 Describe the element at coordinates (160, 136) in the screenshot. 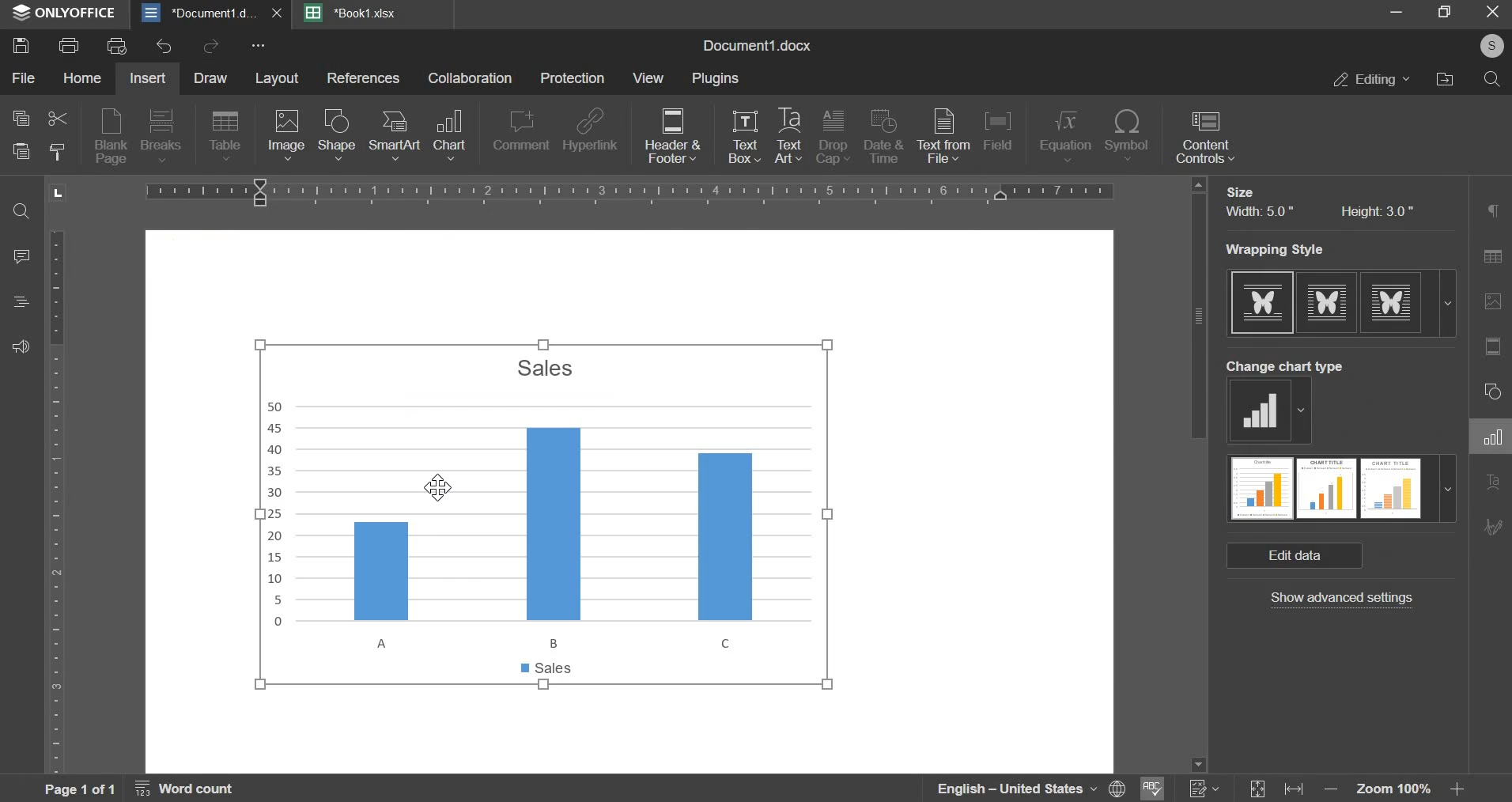

I see `page break` at that location.